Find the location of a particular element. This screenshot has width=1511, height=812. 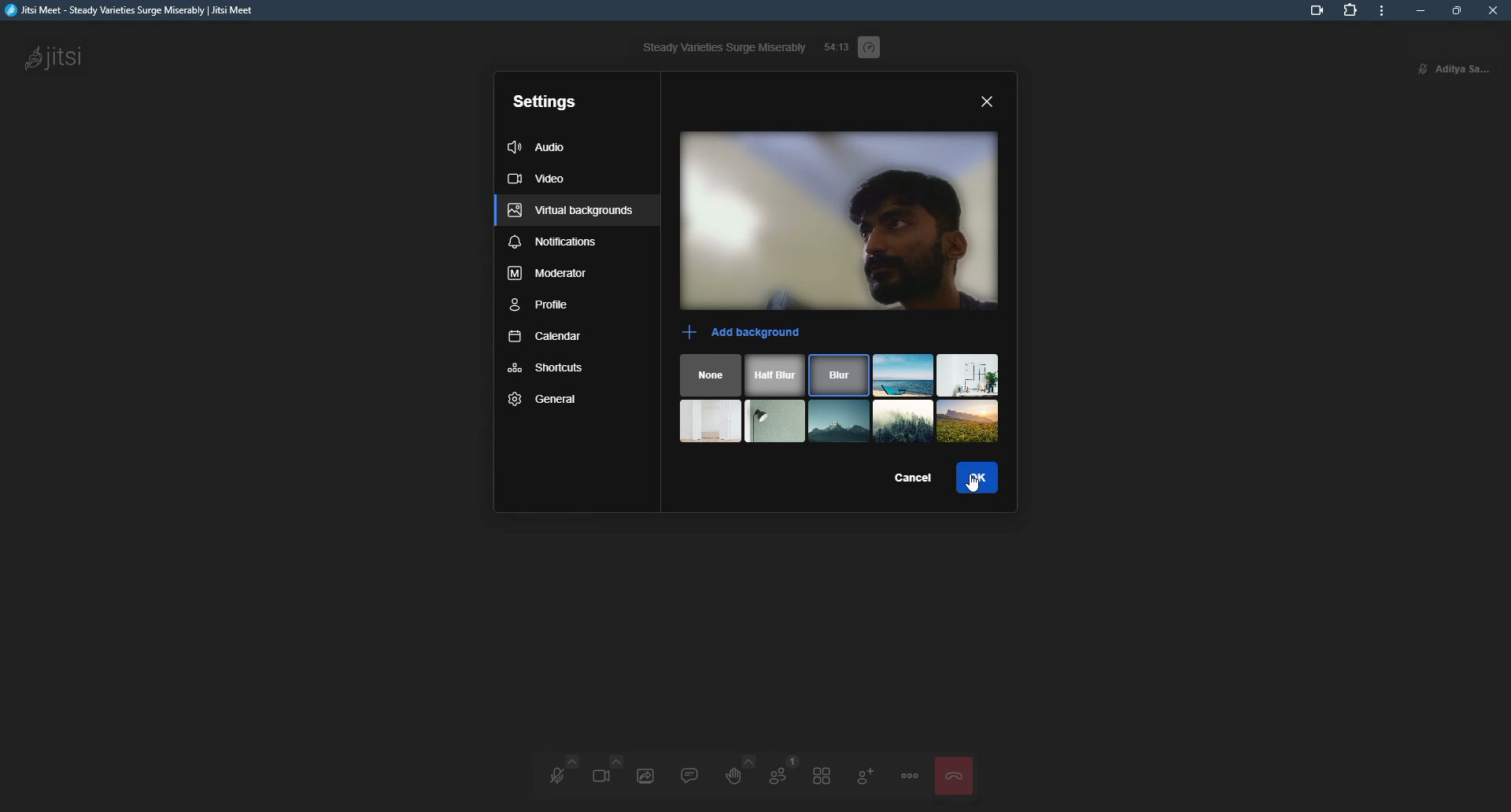

audio is located at coordinates (541, 145).